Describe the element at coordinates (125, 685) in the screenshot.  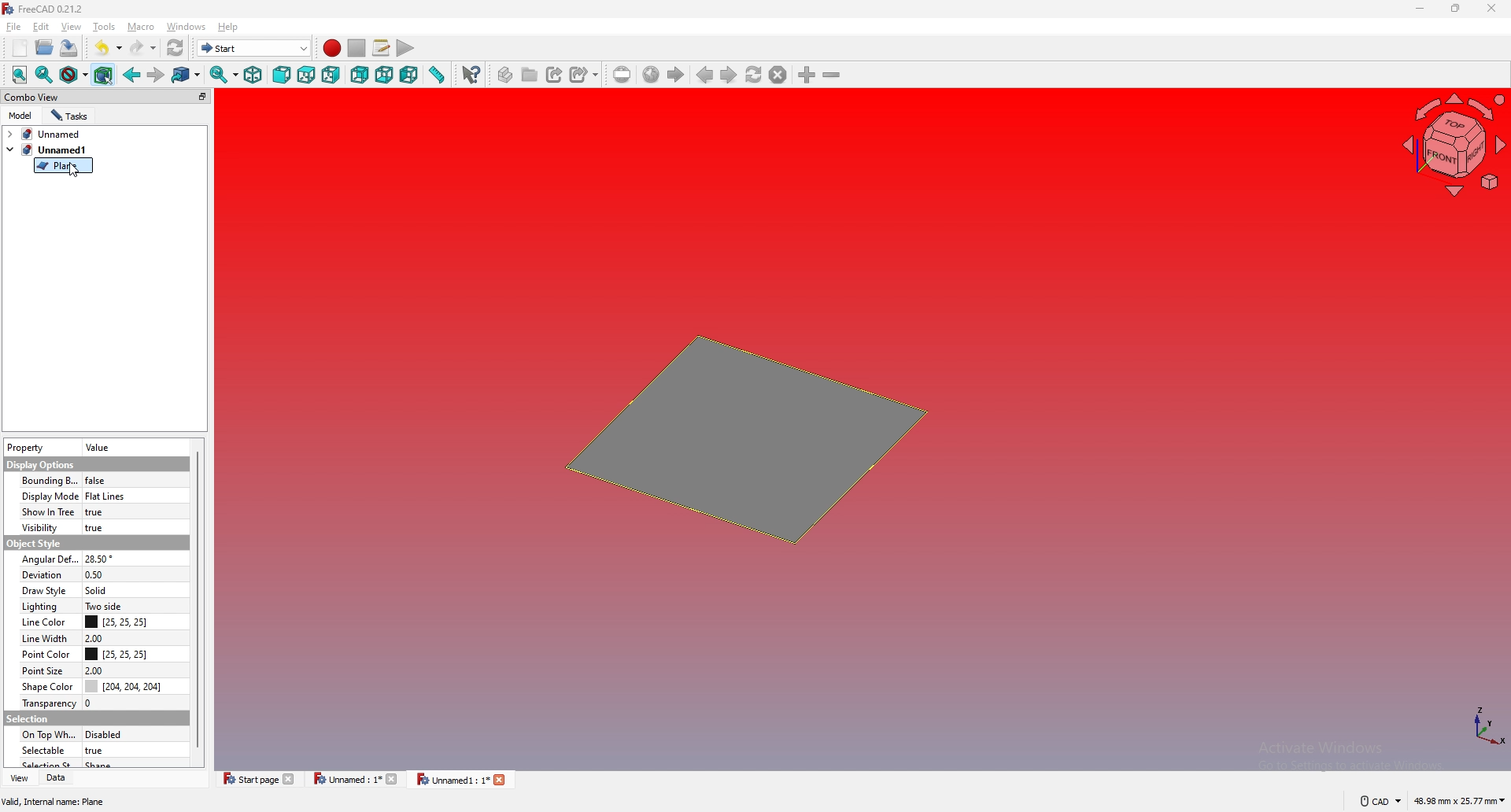
I see `[204, 204, 204]` at that location.